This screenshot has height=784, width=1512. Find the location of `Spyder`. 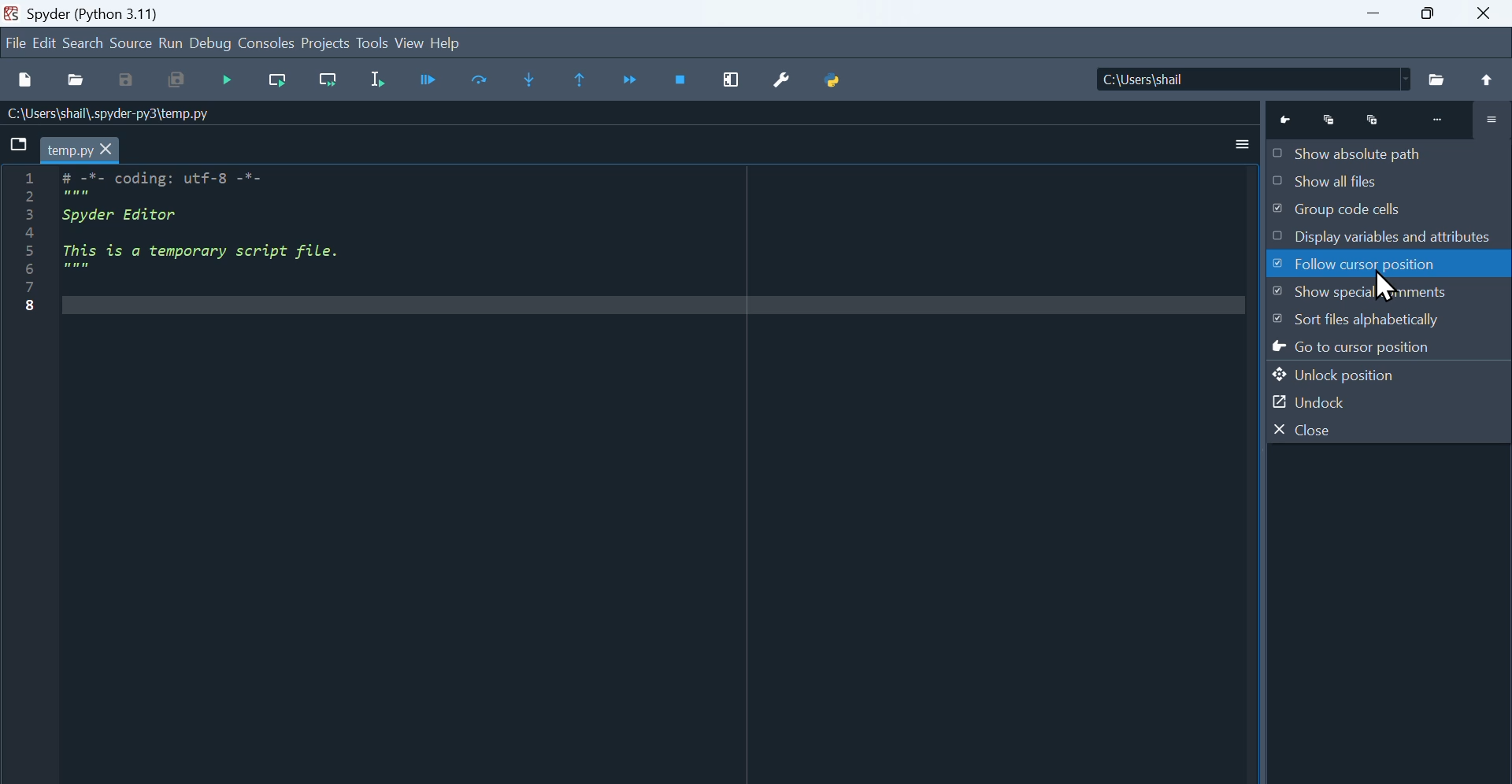

Spyder is located at coordinates (94, 13).